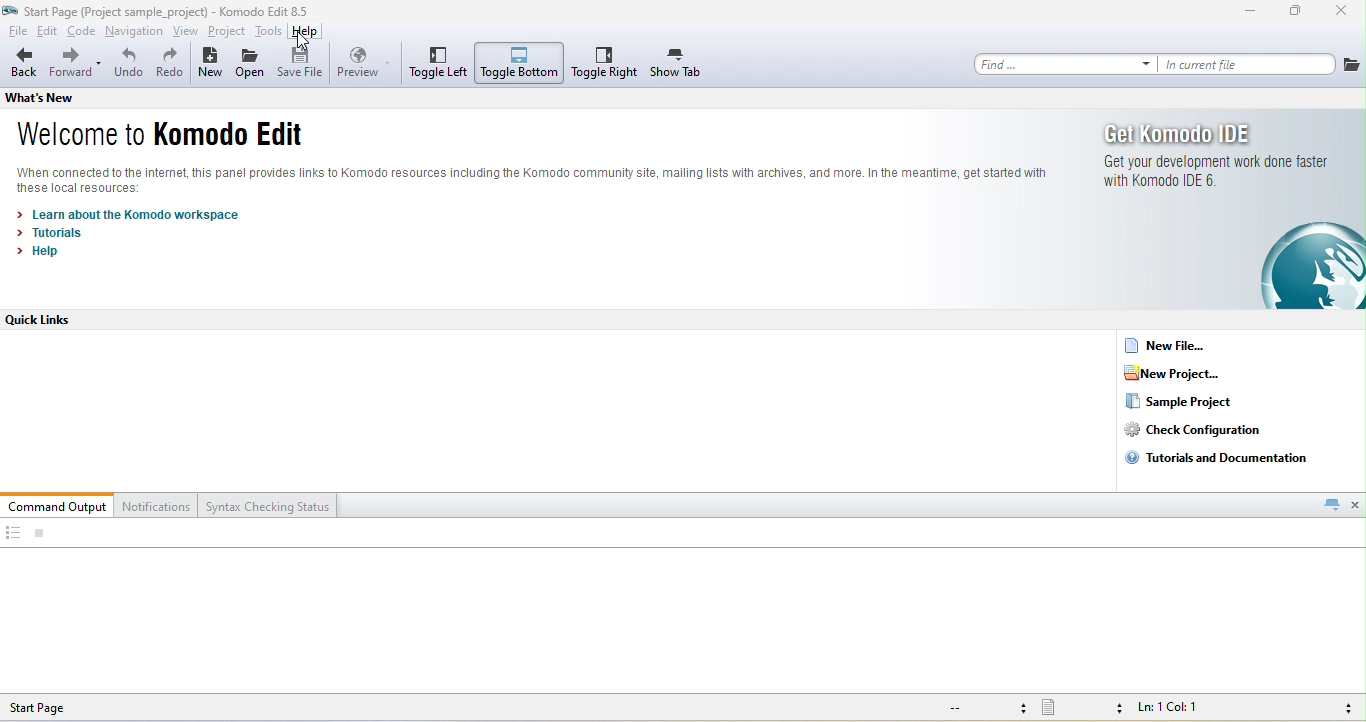  What do you see at coordinates (520, 63) in the screenshot?
I see `toggle bottom` at bounding box center [520, 63].